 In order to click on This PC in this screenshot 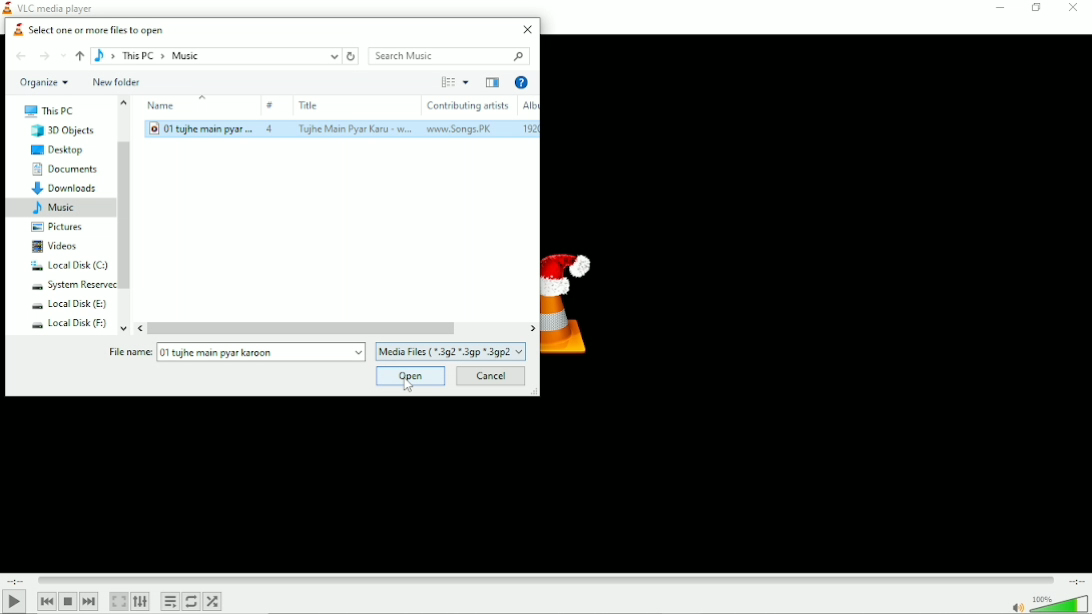, I will do `click(49, 112)`.